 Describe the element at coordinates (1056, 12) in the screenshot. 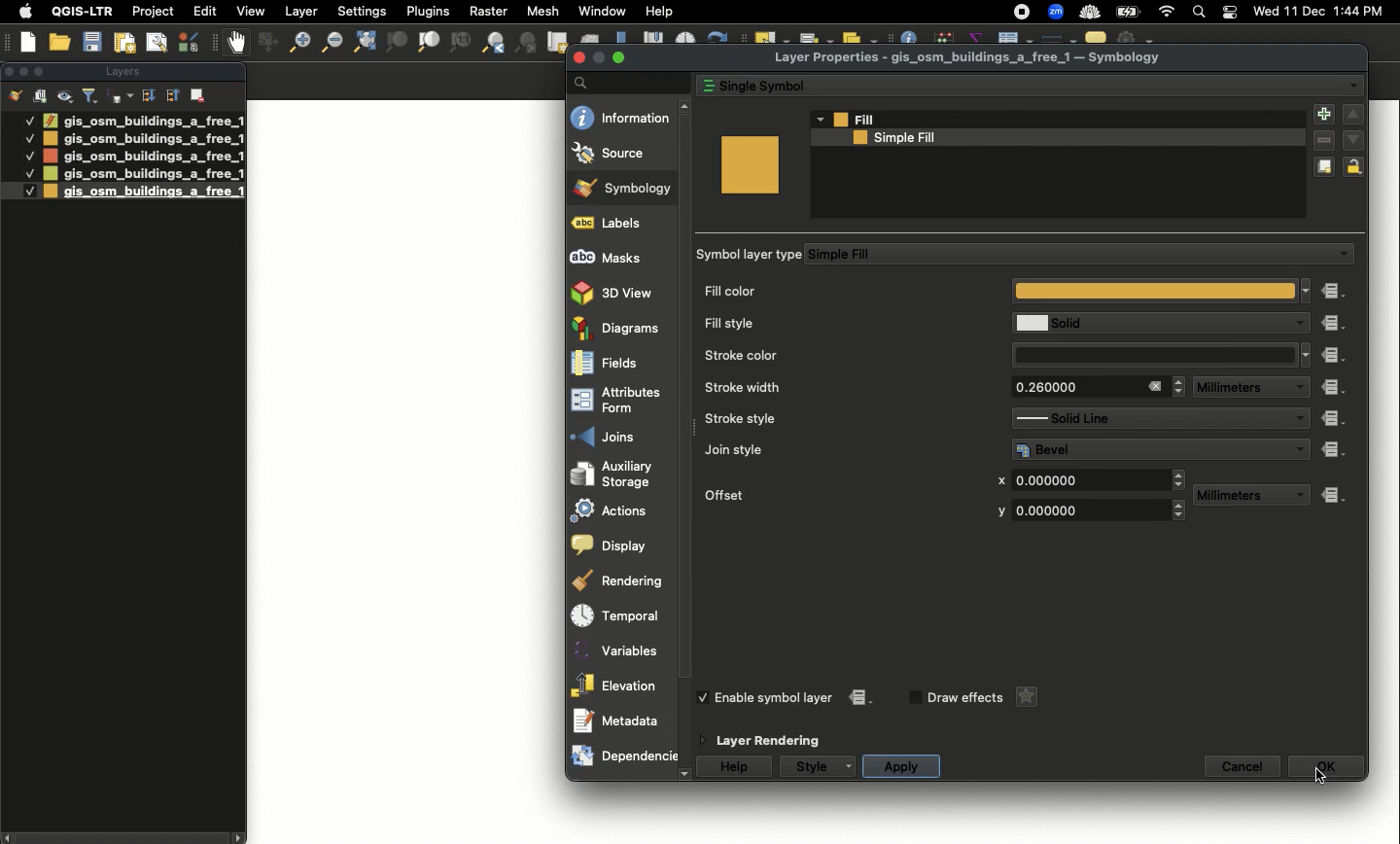

I see `` at that location.